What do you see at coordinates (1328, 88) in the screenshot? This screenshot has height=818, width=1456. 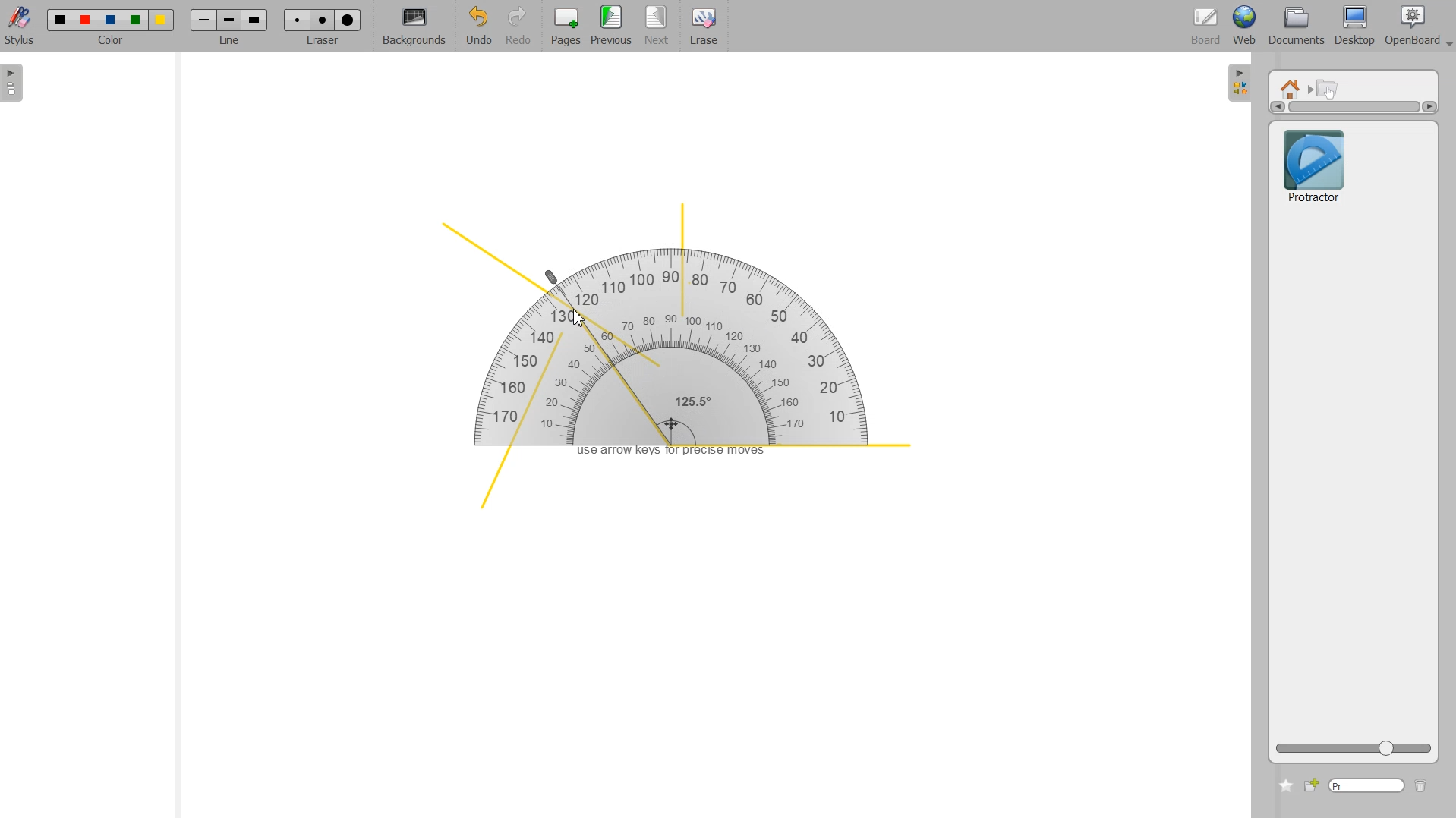 I see `Interactive` at bounding box center [1328, 88].